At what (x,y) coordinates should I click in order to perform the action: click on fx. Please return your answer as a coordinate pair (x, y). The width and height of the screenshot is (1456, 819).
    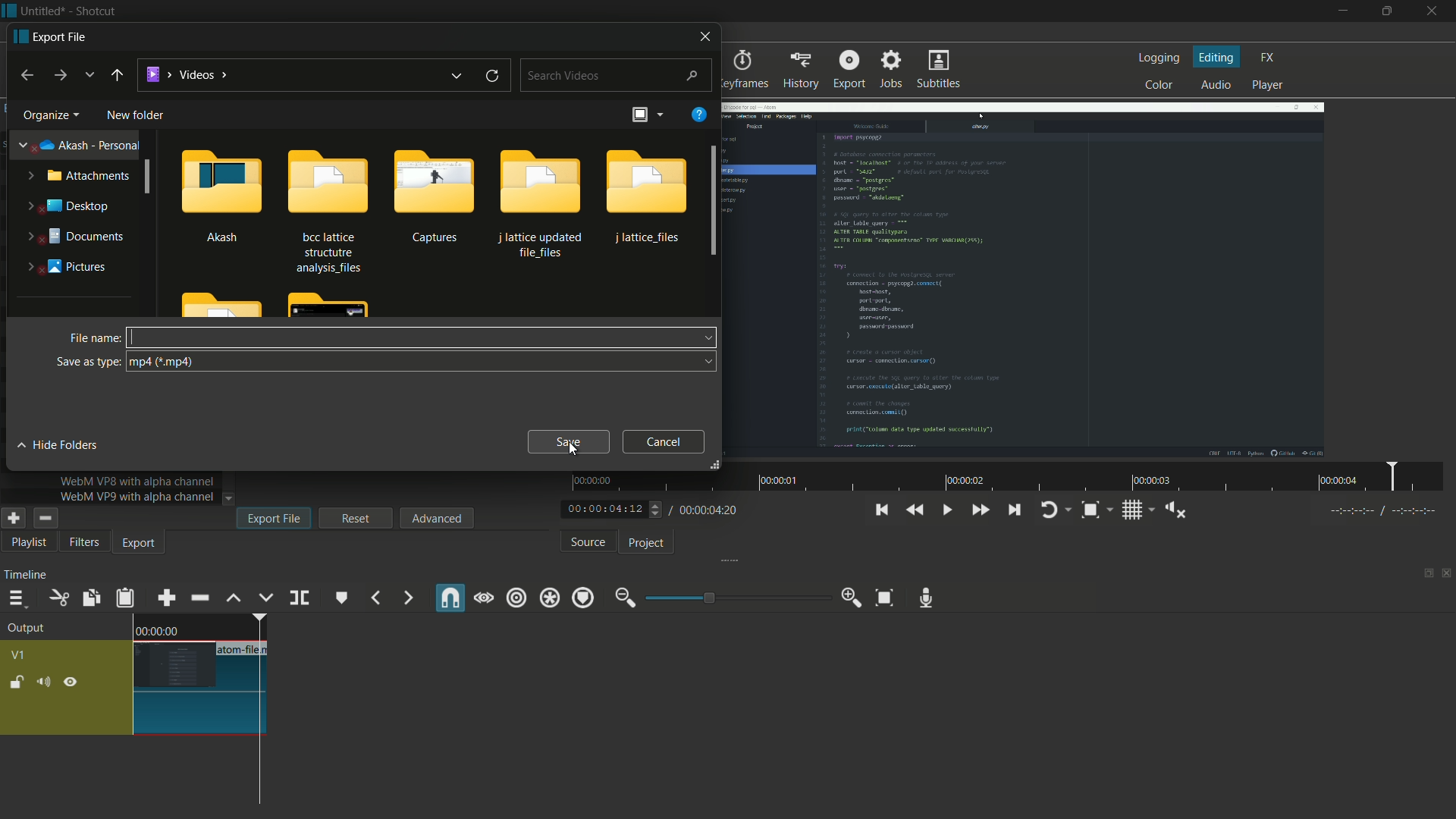
    Looking at the image, I should click on (1268, 56).